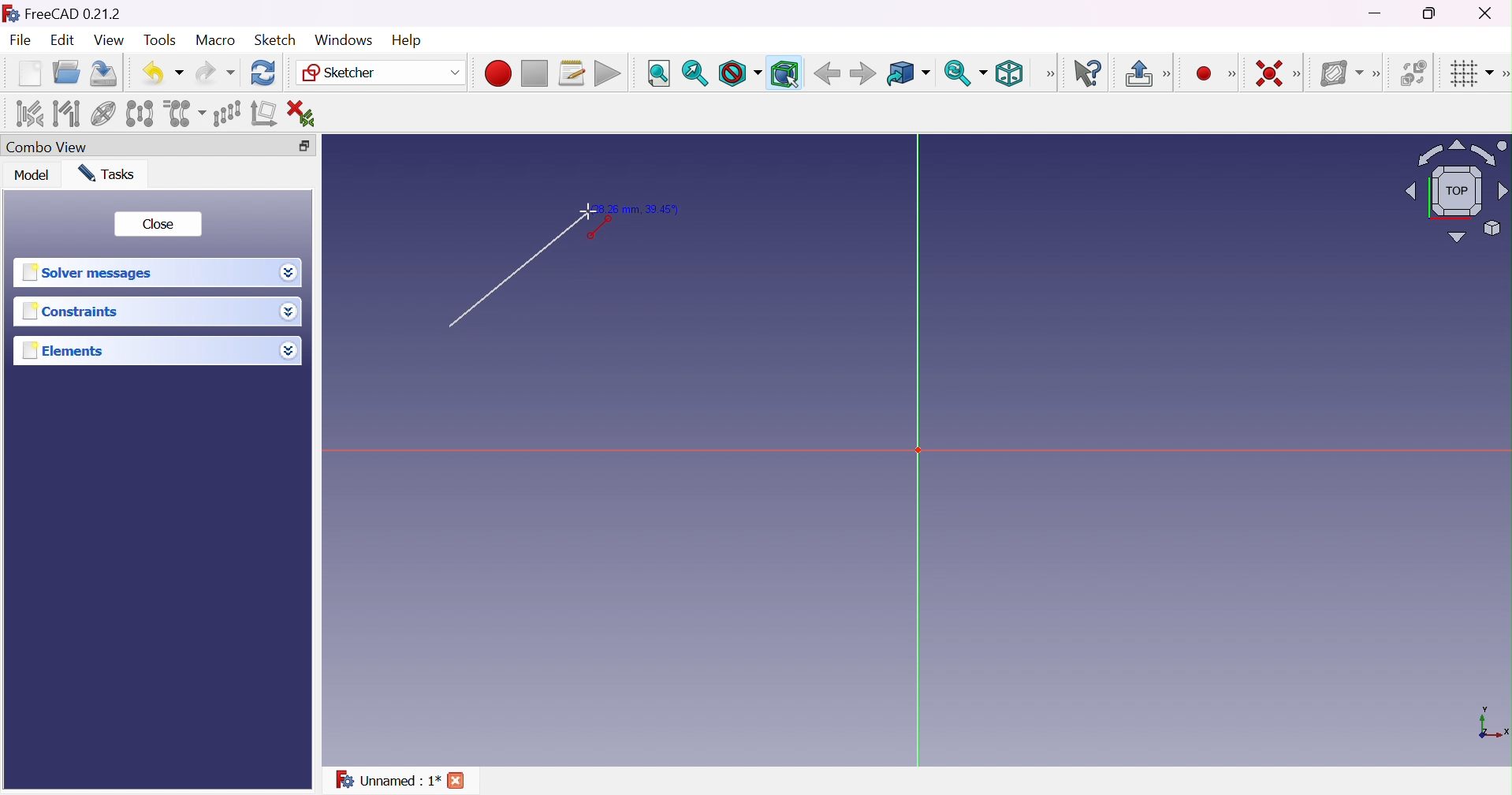 The width and height of the screenshot is (1512, 795). What do you see at coordinates (21, 41) in the screenshot?
I see `File` at bounding box center [21, 41].